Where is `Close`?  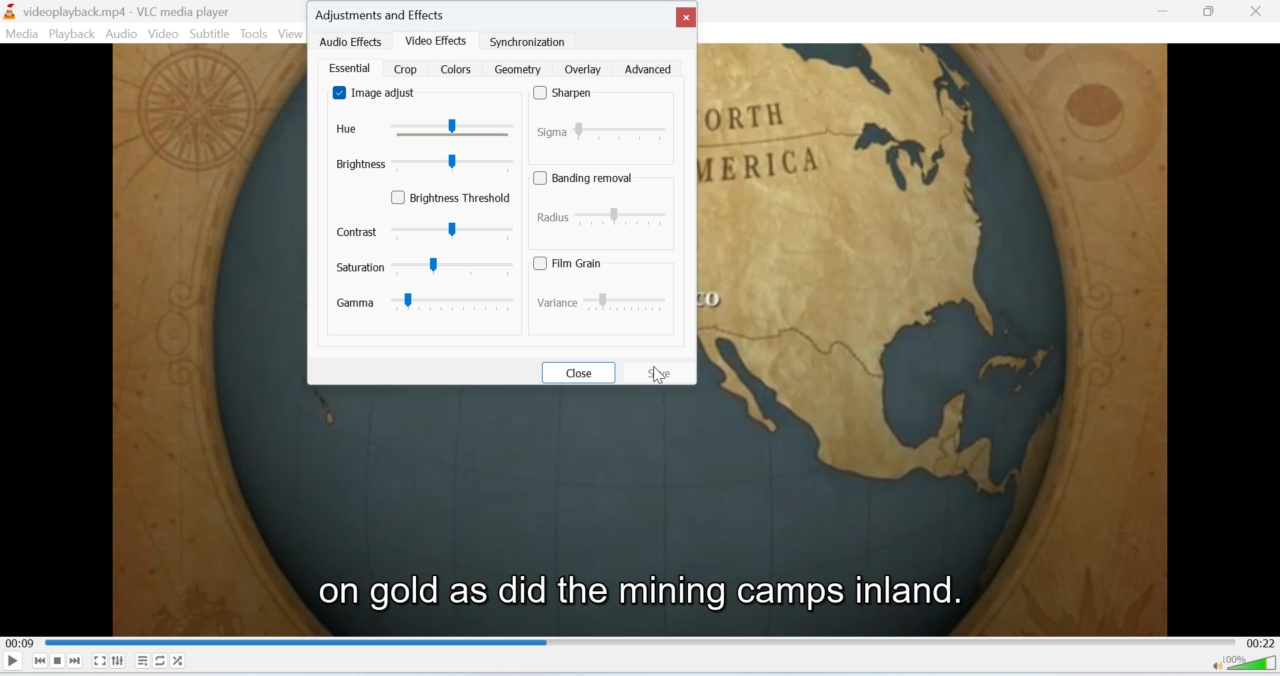
Close is located at coordinates (1262, 10).